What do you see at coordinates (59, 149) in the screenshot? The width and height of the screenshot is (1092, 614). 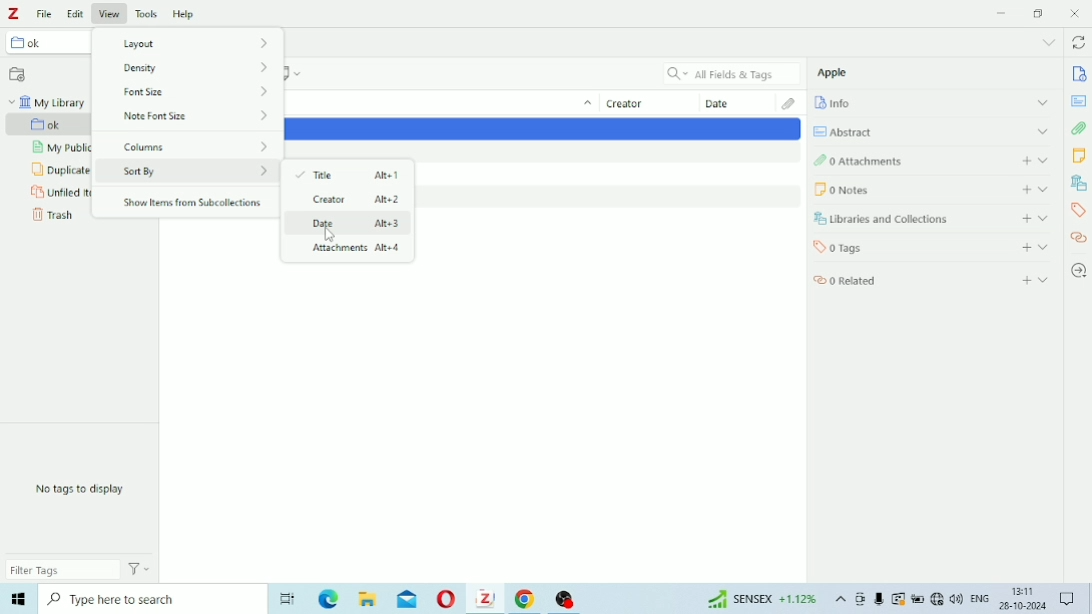 I see `My Publications` at bounding box center [59, 149].